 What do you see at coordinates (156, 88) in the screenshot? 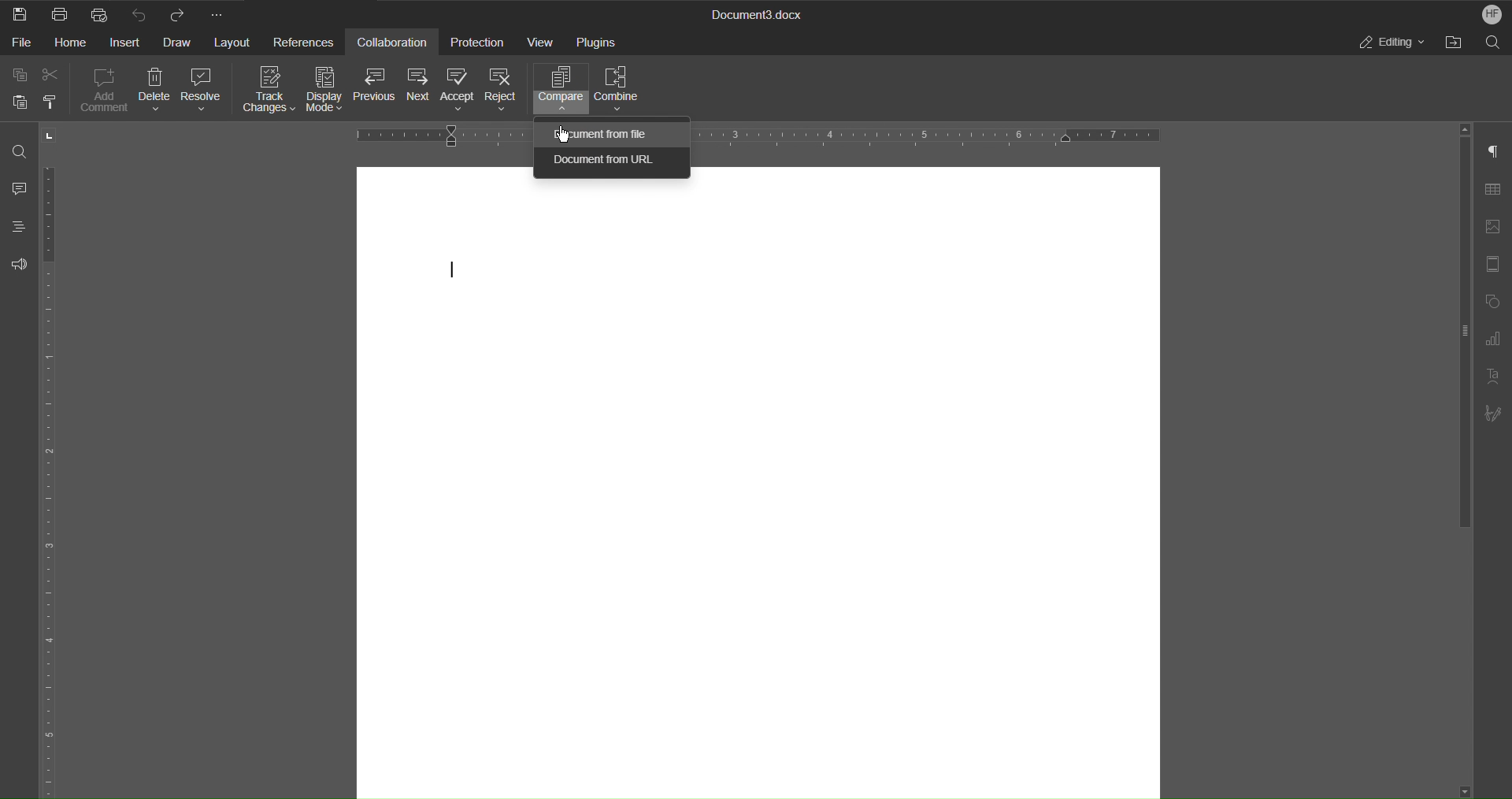
I see `Delete` at bounding box center [156, 88].